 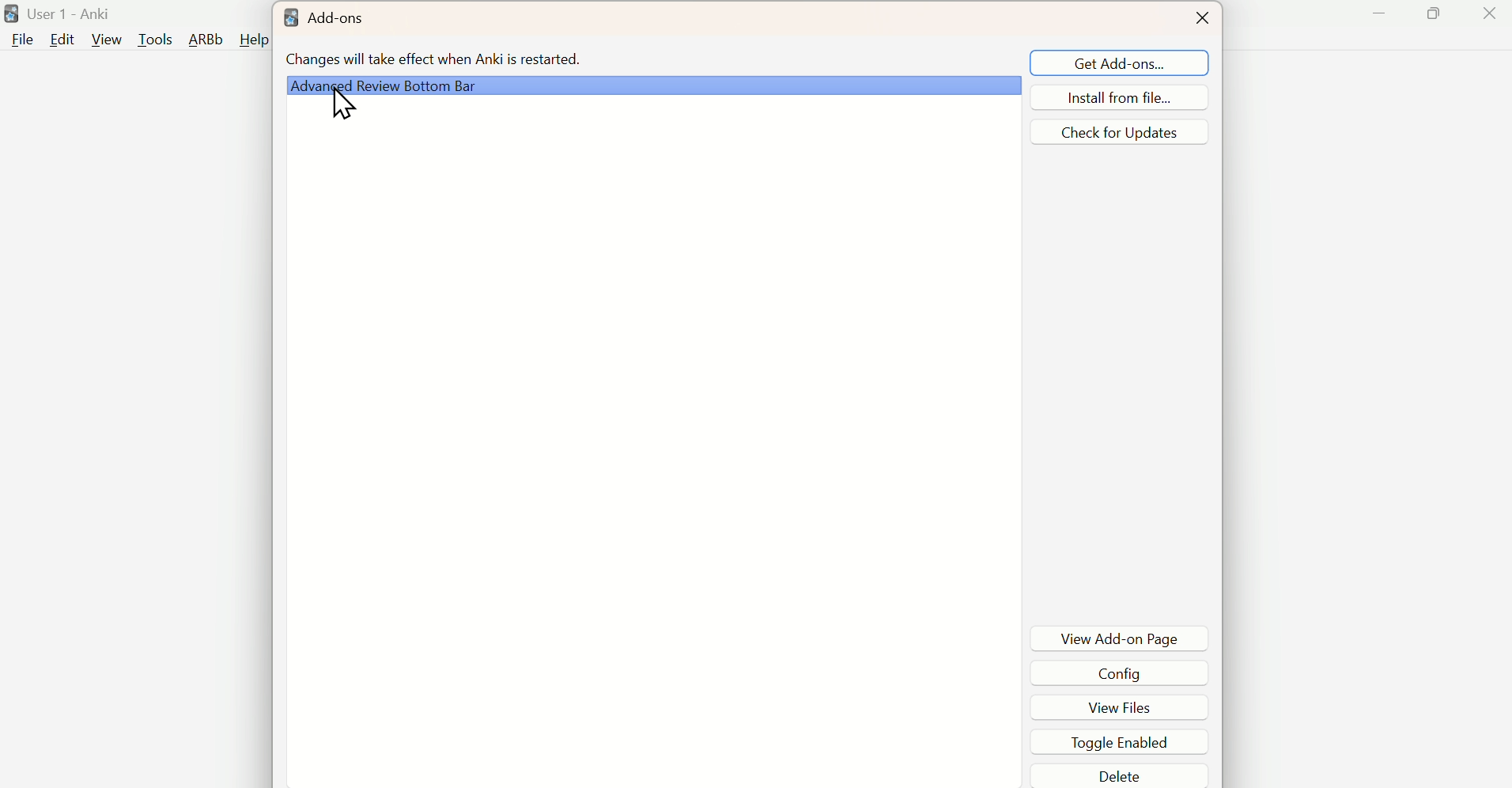 I want to click on Check for updates, so click(x=1116, y=134).